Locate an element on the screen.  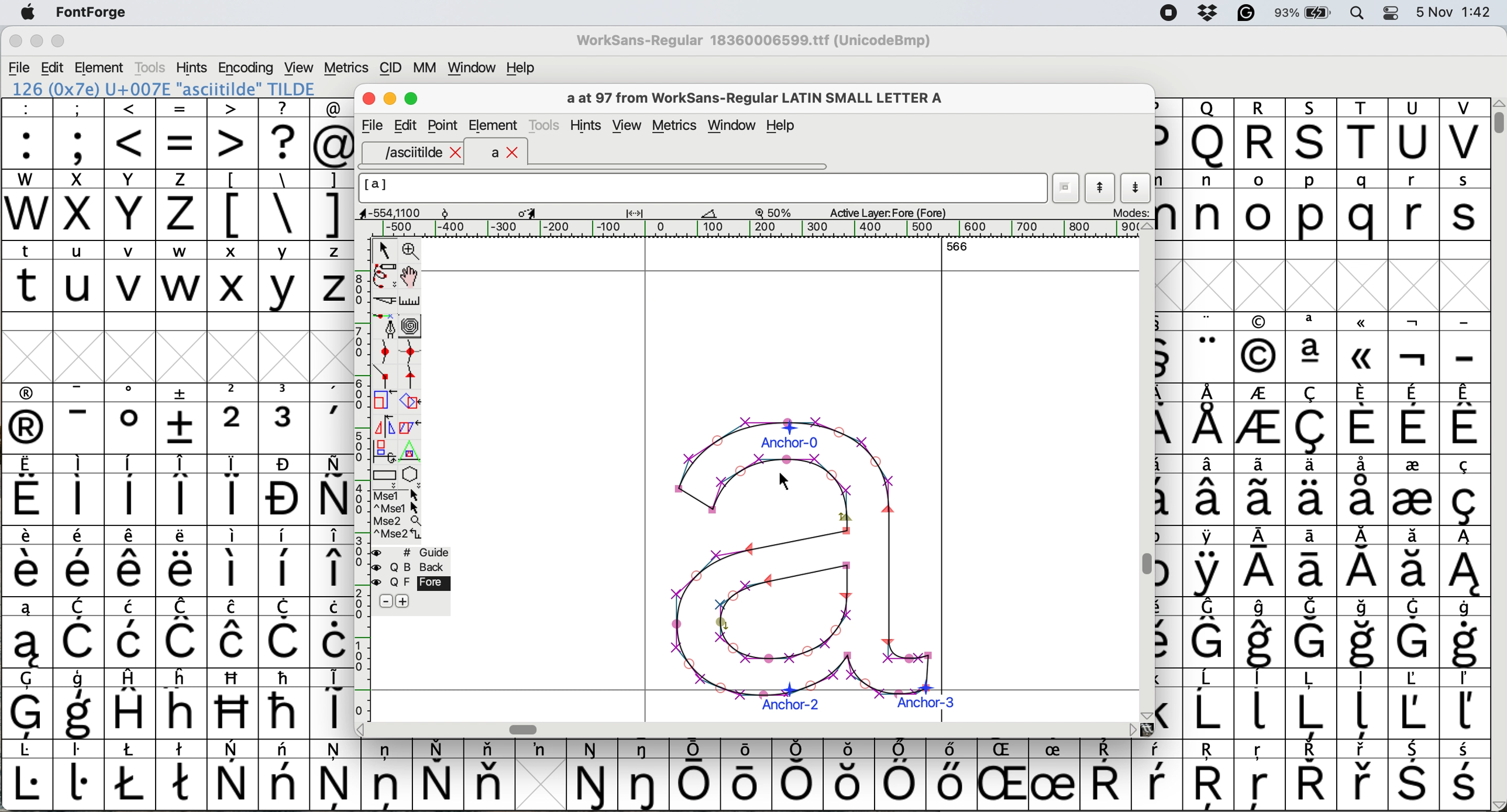
symbol is located at coordinates (331, 490).